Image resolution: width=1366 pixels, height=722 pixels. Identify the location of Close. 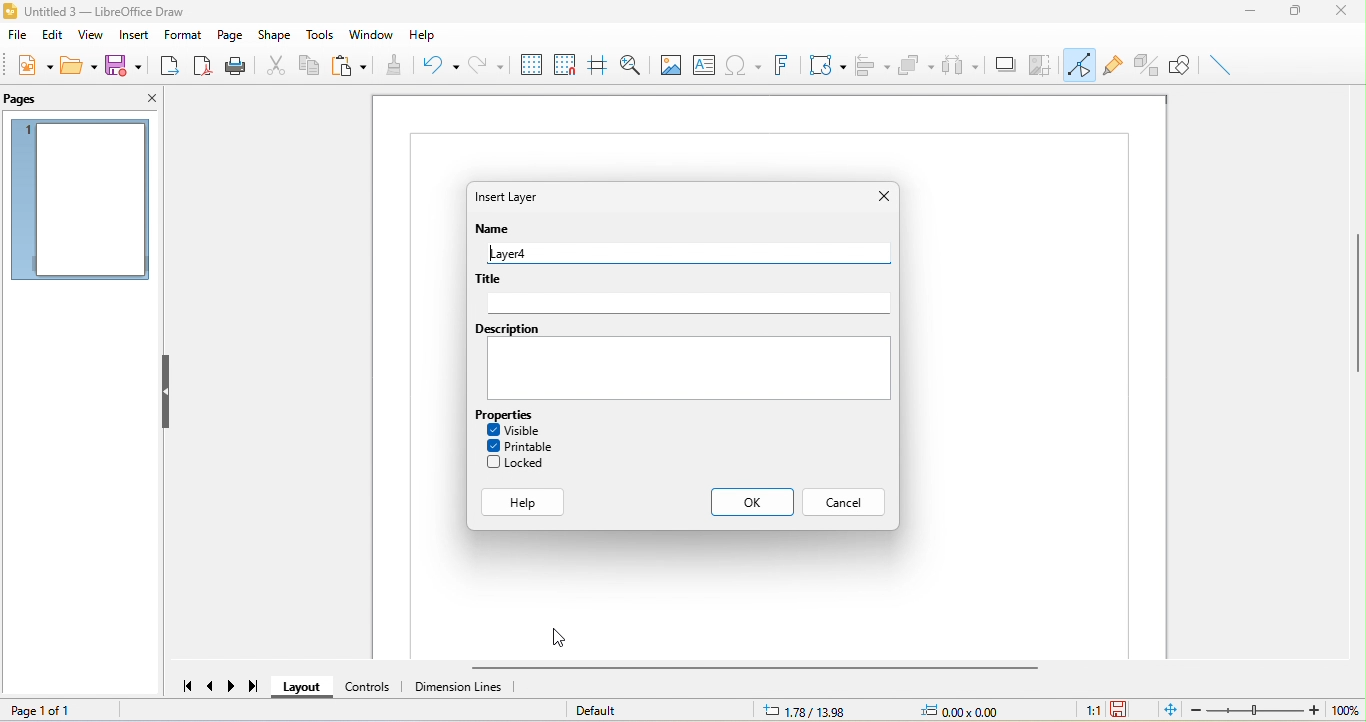
(886, 196).